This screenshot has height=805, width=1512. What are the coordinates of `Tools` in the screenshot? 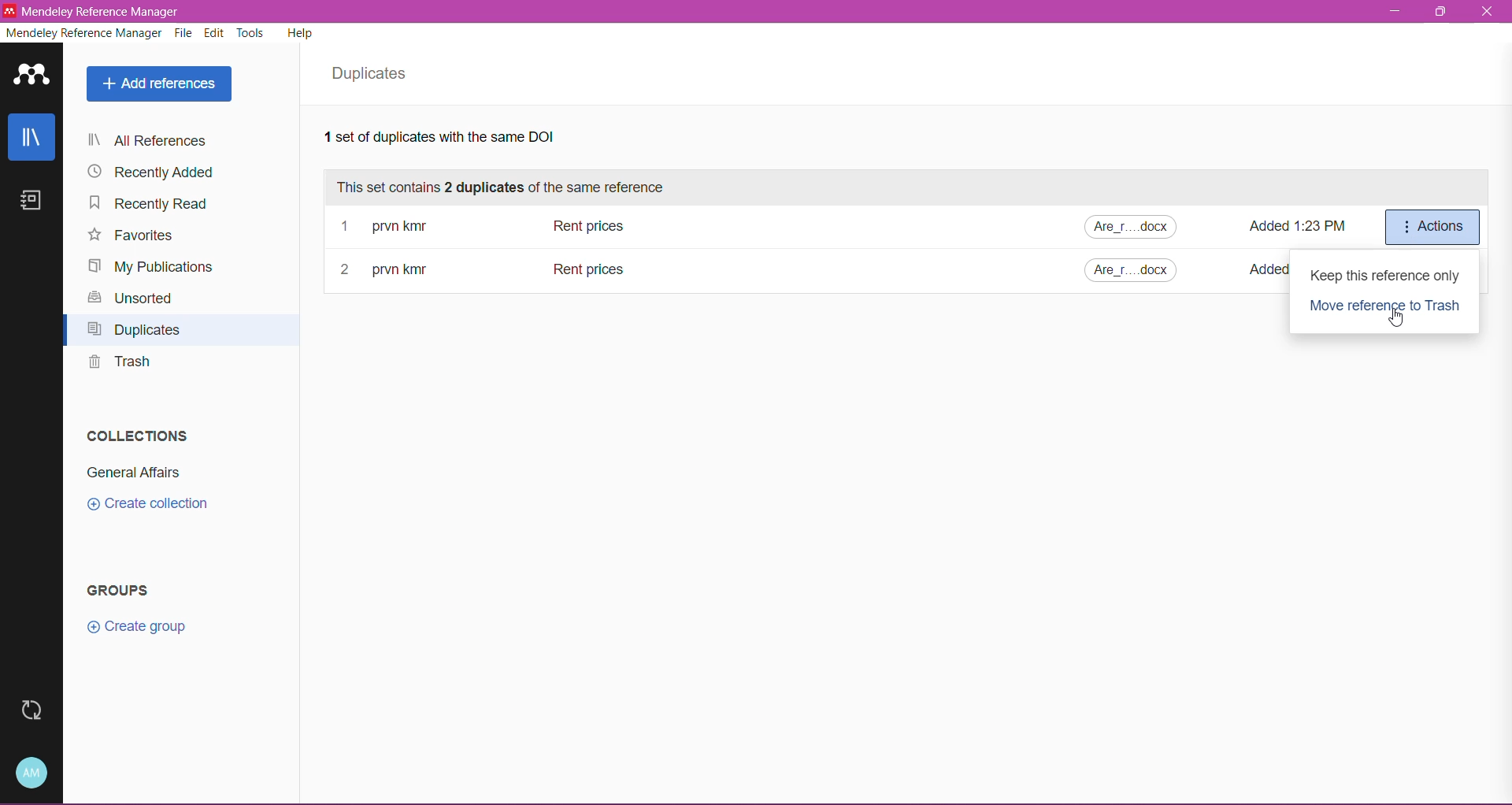 It's located at (251, 32).